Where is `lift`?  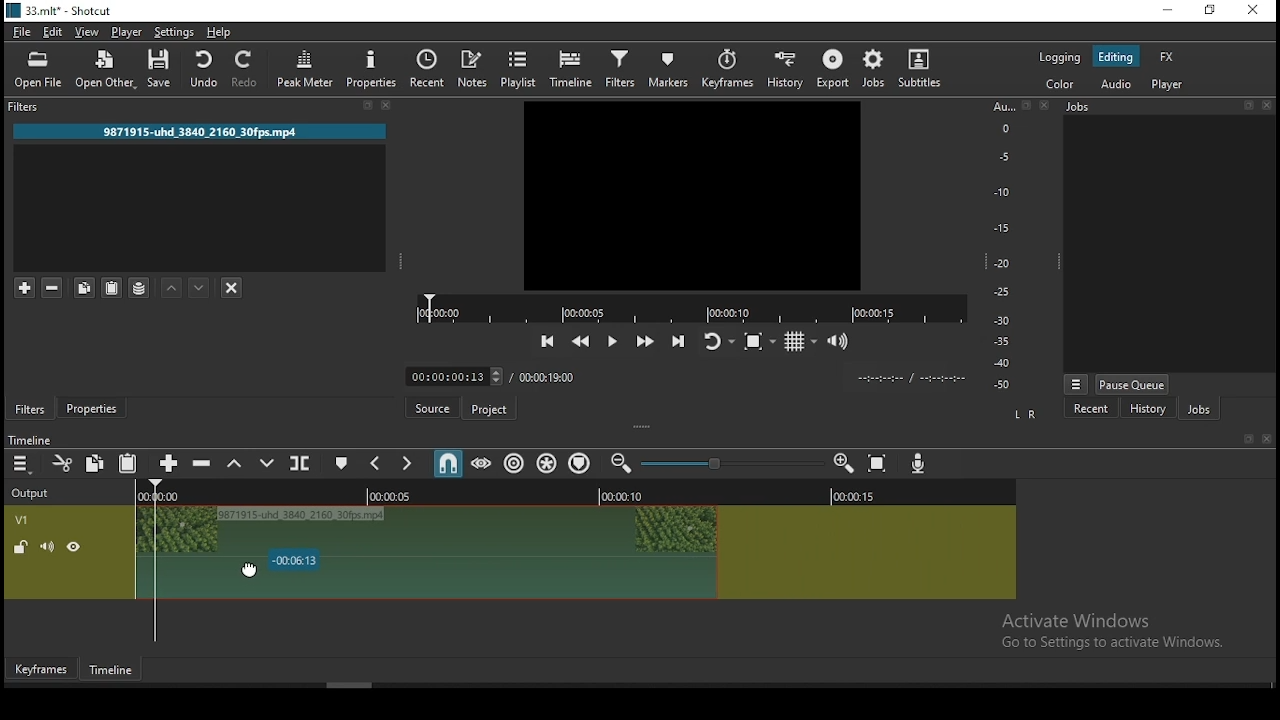 lift is located at coordinates (239, 465).